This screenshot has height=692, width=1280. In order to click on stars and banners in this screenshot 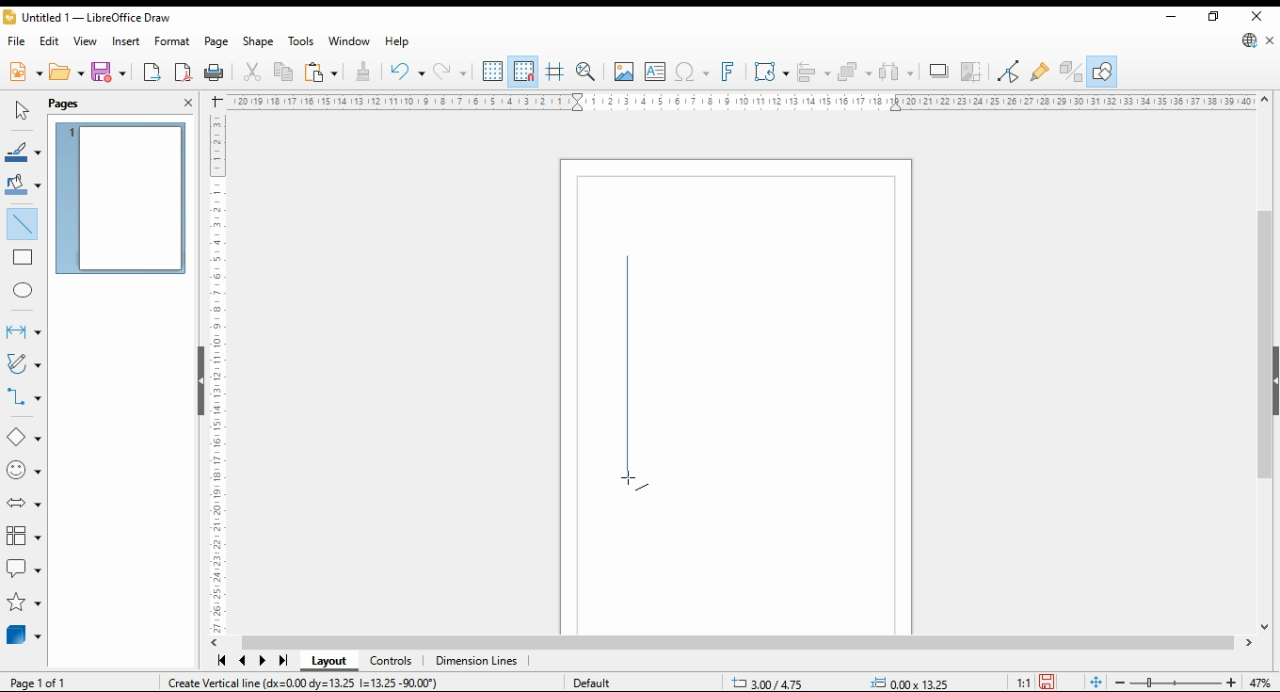, I will do `click(23, 604)`.